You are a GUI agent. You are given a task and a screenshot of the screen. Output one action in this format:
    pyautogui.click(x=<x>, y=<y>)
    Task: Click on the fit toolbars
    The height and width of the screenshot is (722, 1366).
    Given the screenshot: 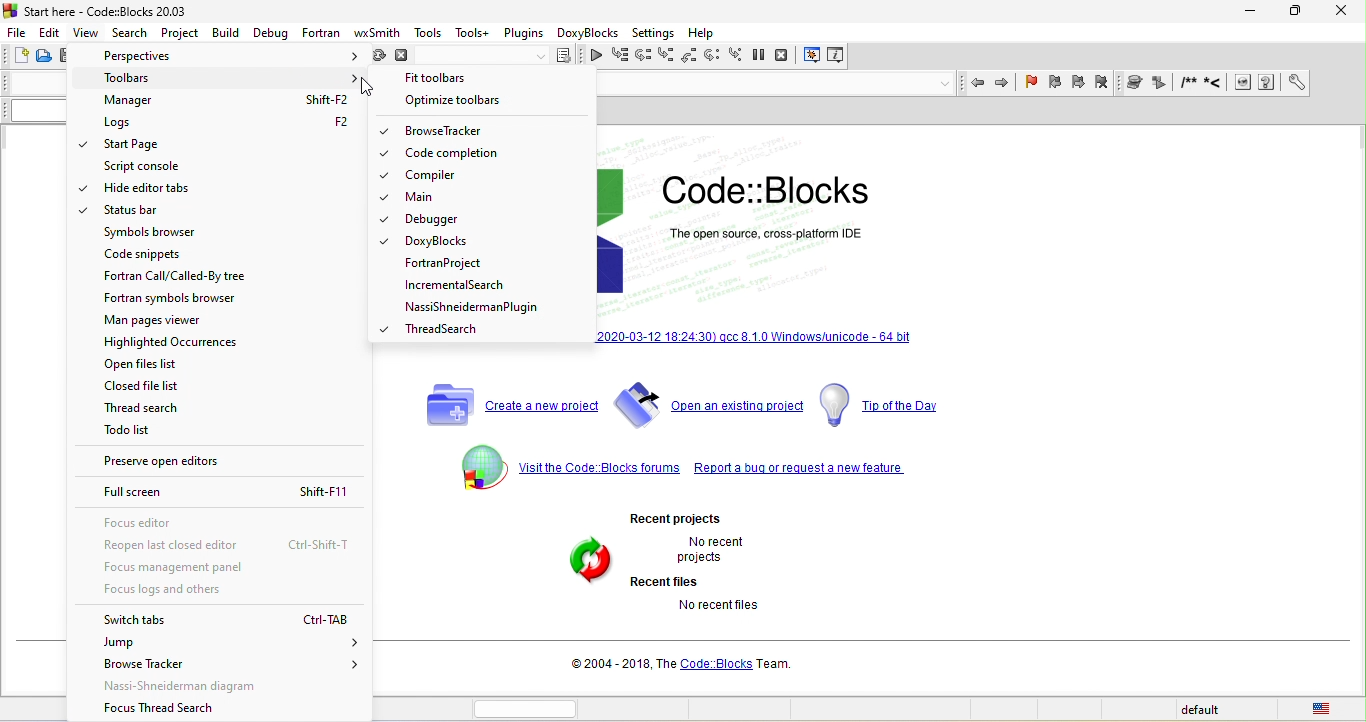 What is the action you would take?
    pyautogui.click(x=443, y=79)
    